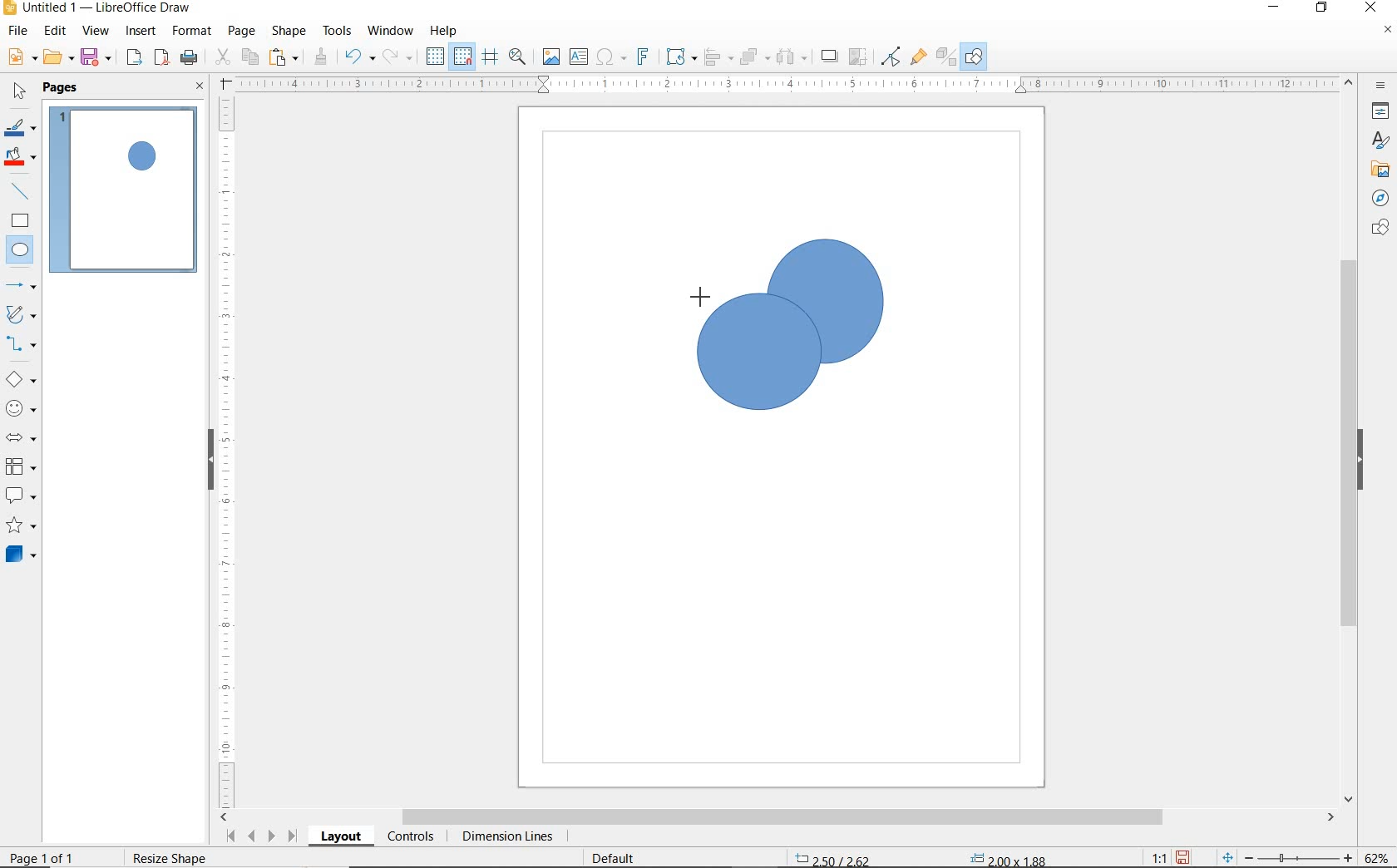 This screenshot has width=1397, height=868. I want to click on UNDO, so click(359, 58).